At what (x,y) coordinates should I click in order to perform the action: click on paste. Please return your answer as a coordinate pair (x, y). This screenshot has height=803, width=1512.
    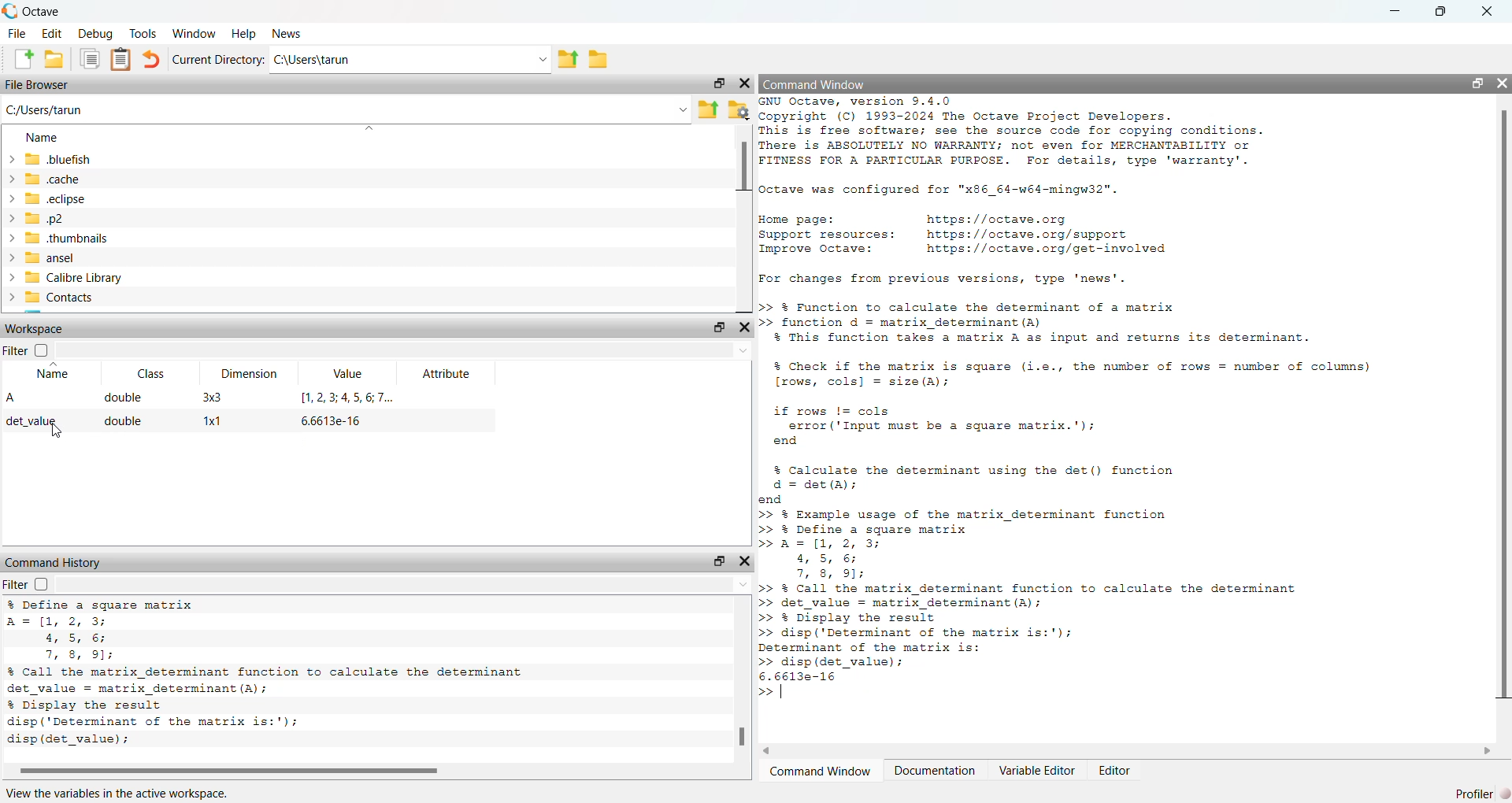
    Looking at the image, I should click on (120, 60).